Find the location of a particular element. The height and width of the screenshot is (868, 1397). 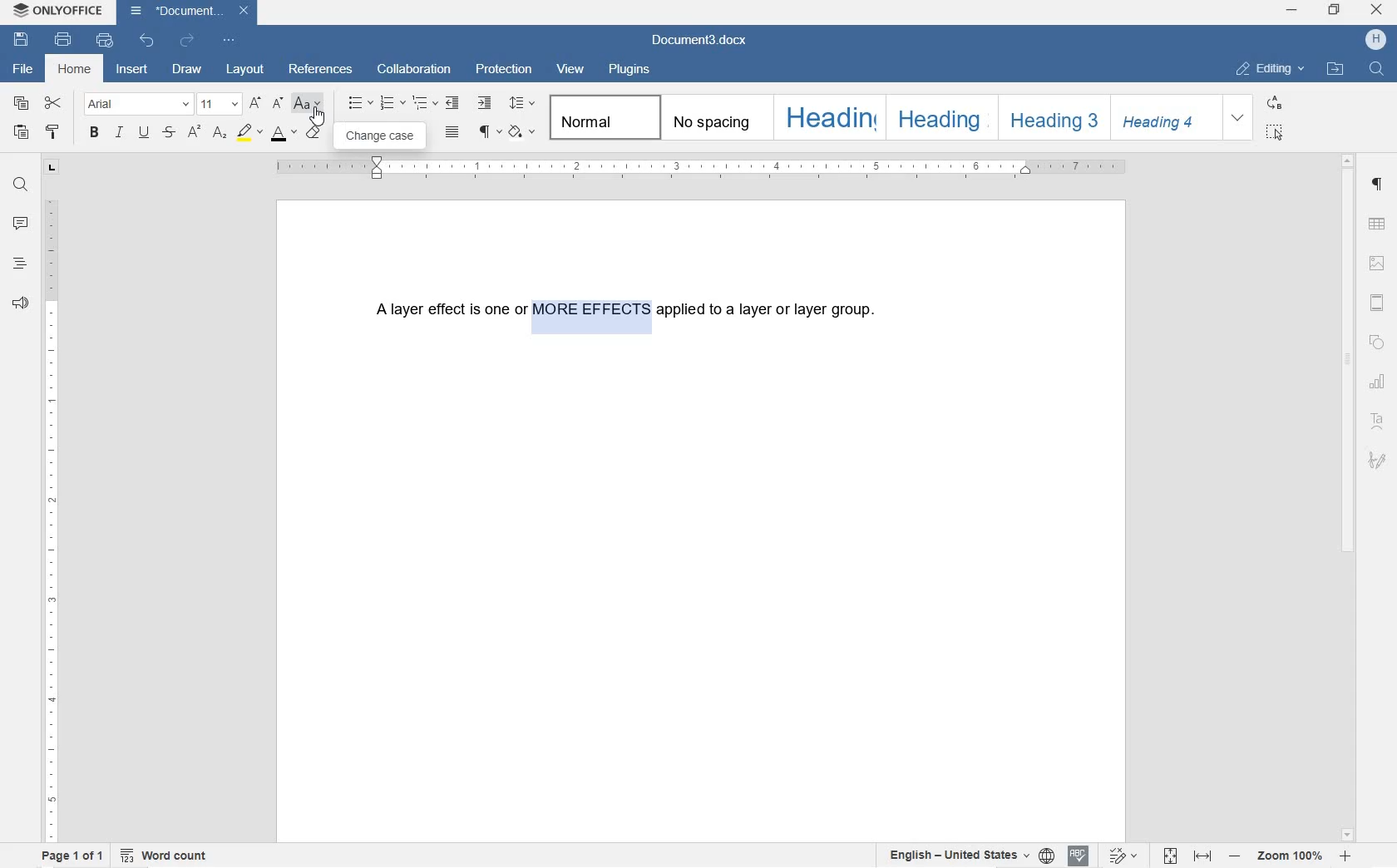

REDO is located at coordinates (187, 40).